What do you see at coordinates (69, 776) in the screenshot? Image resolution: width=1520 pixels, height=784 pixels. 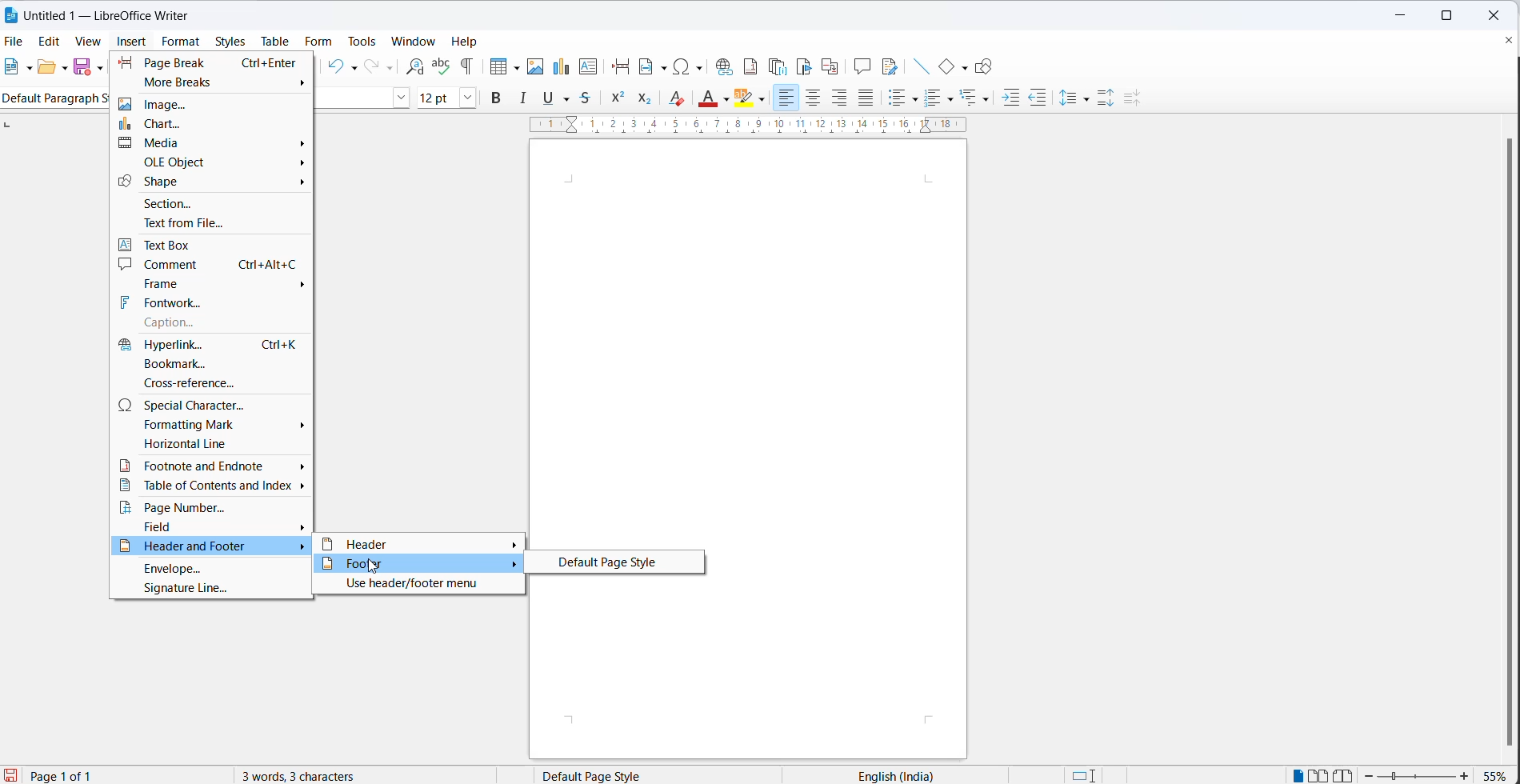 I see `current page` at bounding box center [69, 776].